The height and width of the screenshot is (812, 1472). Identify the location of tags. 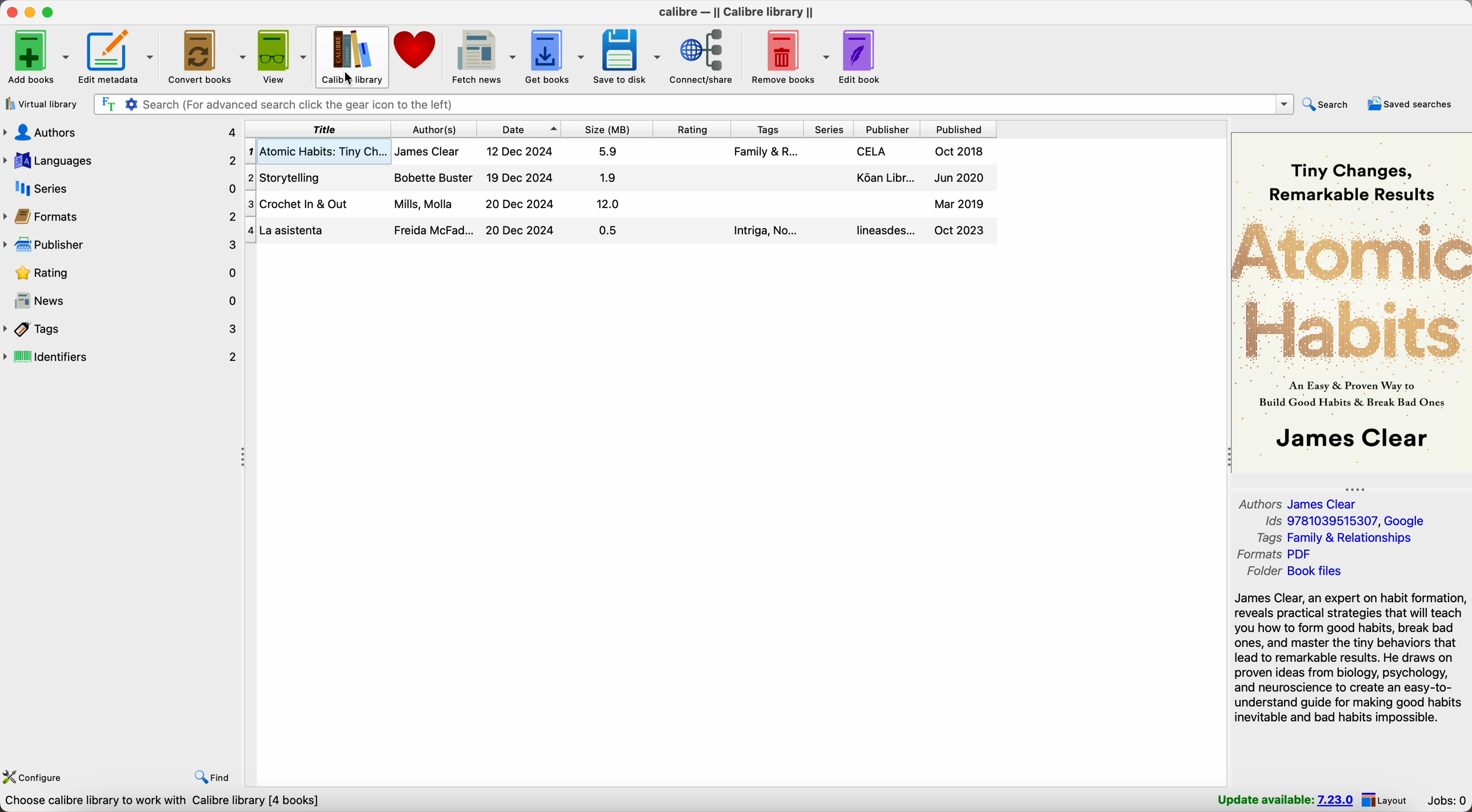
(766, 129).